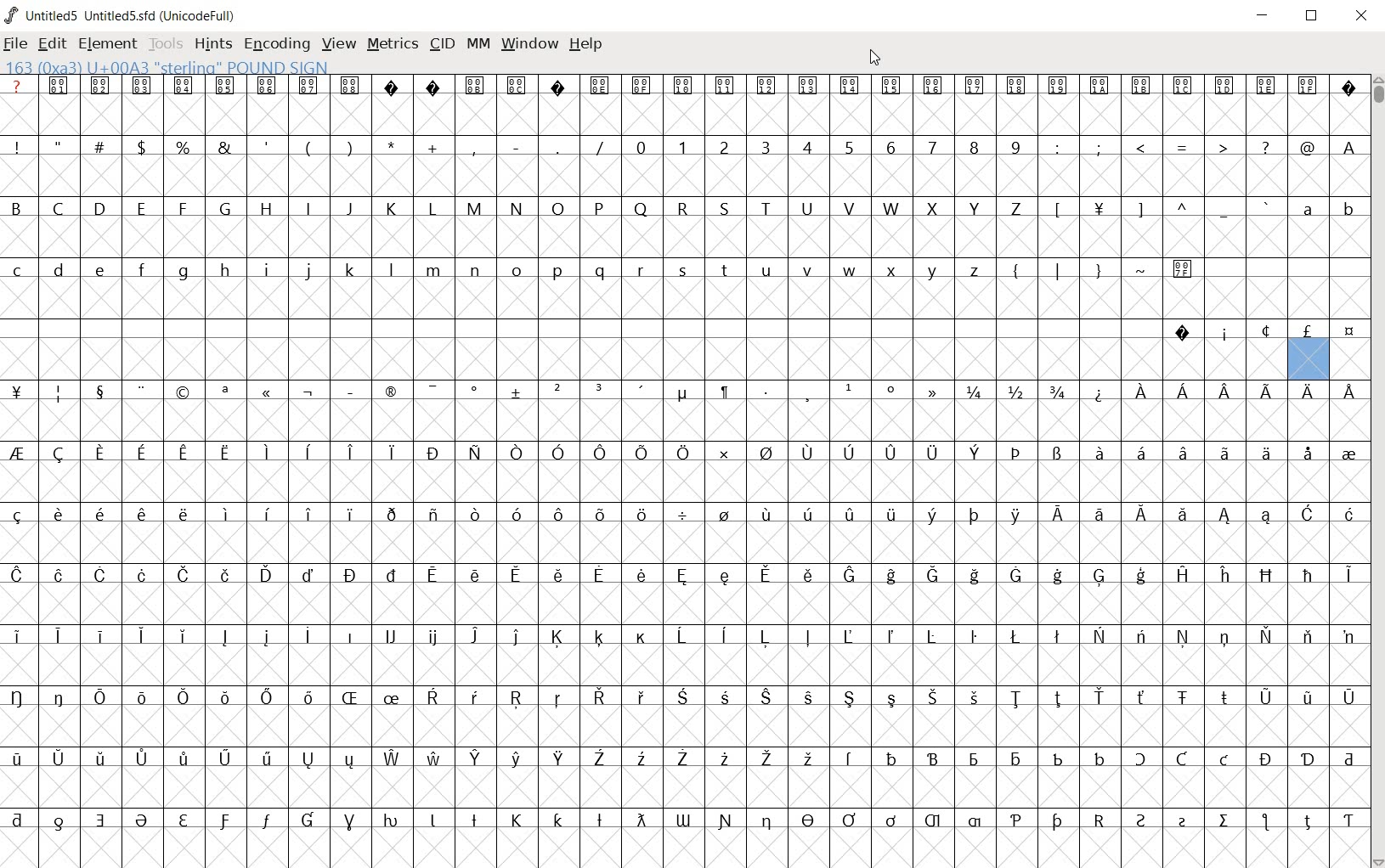 This screenshot has width=1385, height=868. I want to click on Symbol, so click(224, 392).